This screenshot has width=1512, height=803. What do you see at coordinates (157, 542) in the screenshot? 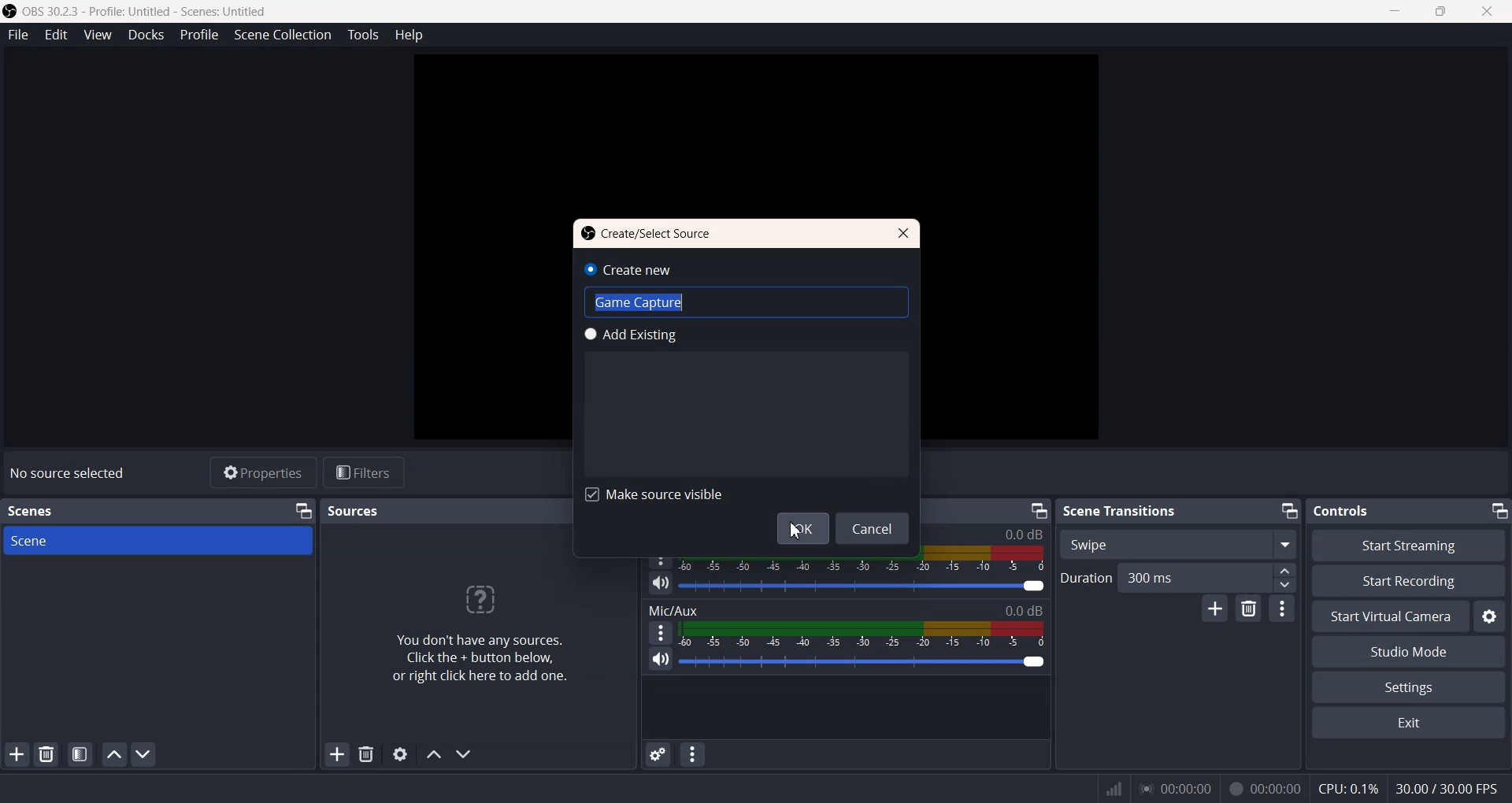
I see `Scene` at bounding box center [157, 542].